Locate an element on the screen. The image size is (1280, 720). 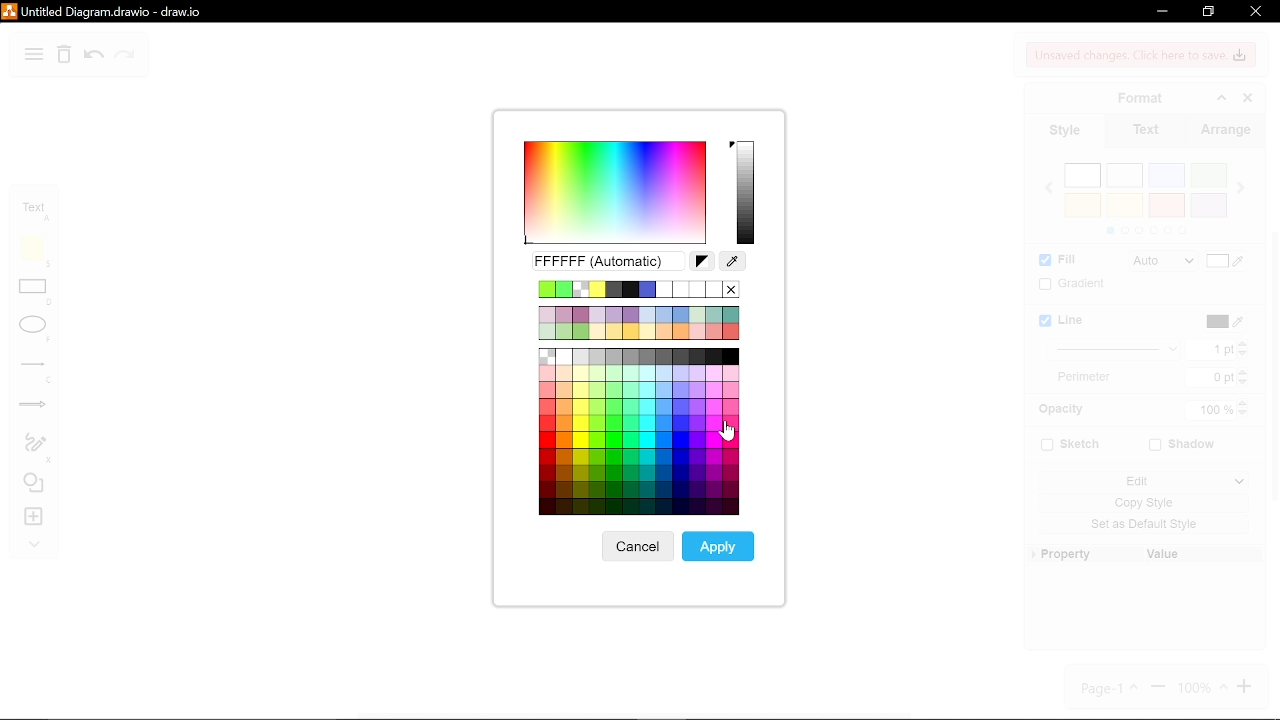
all colors is located at coordinates (638, 433).